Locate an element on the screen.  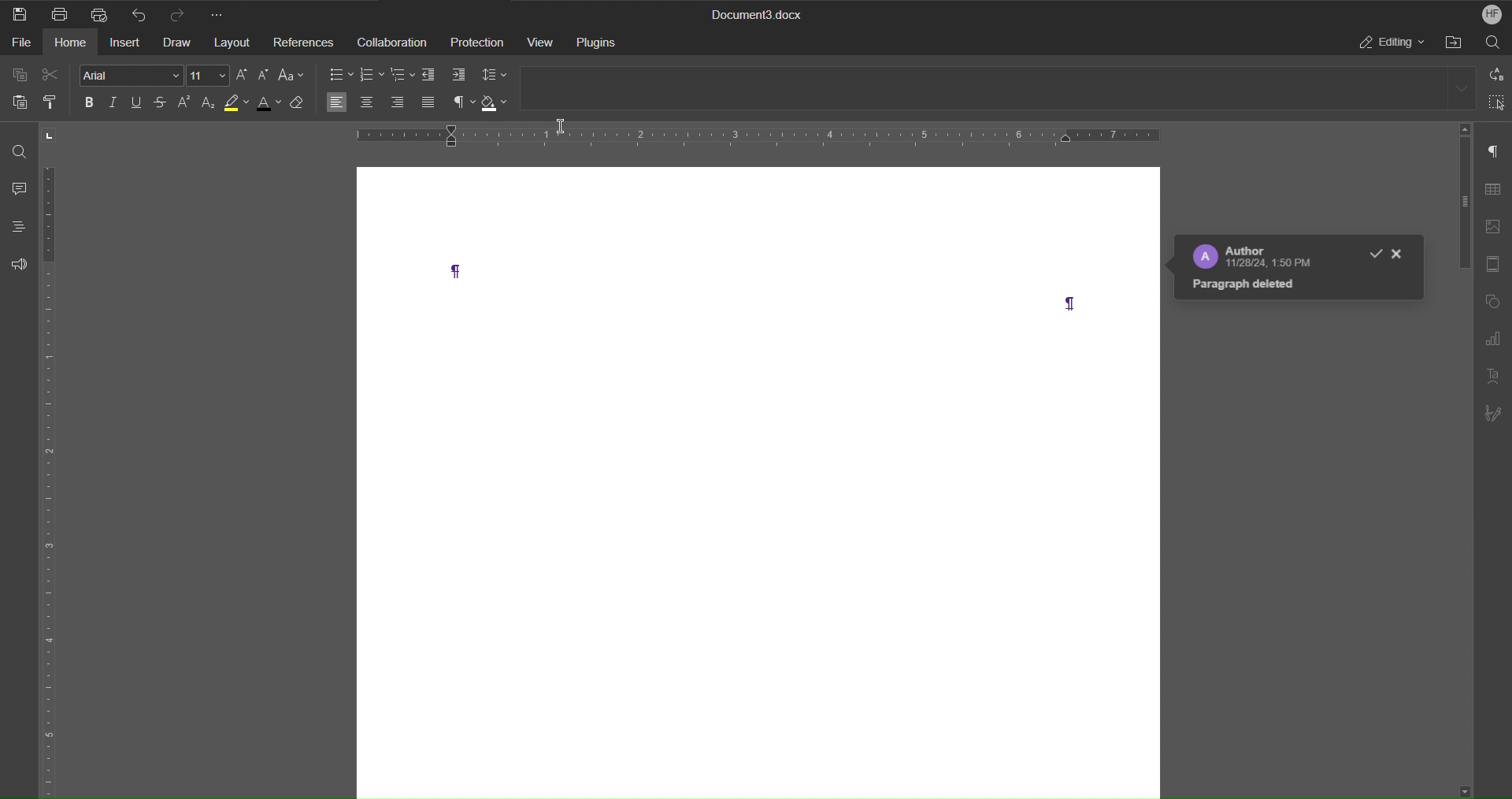
Numbering is located at coordinates (372, 72).